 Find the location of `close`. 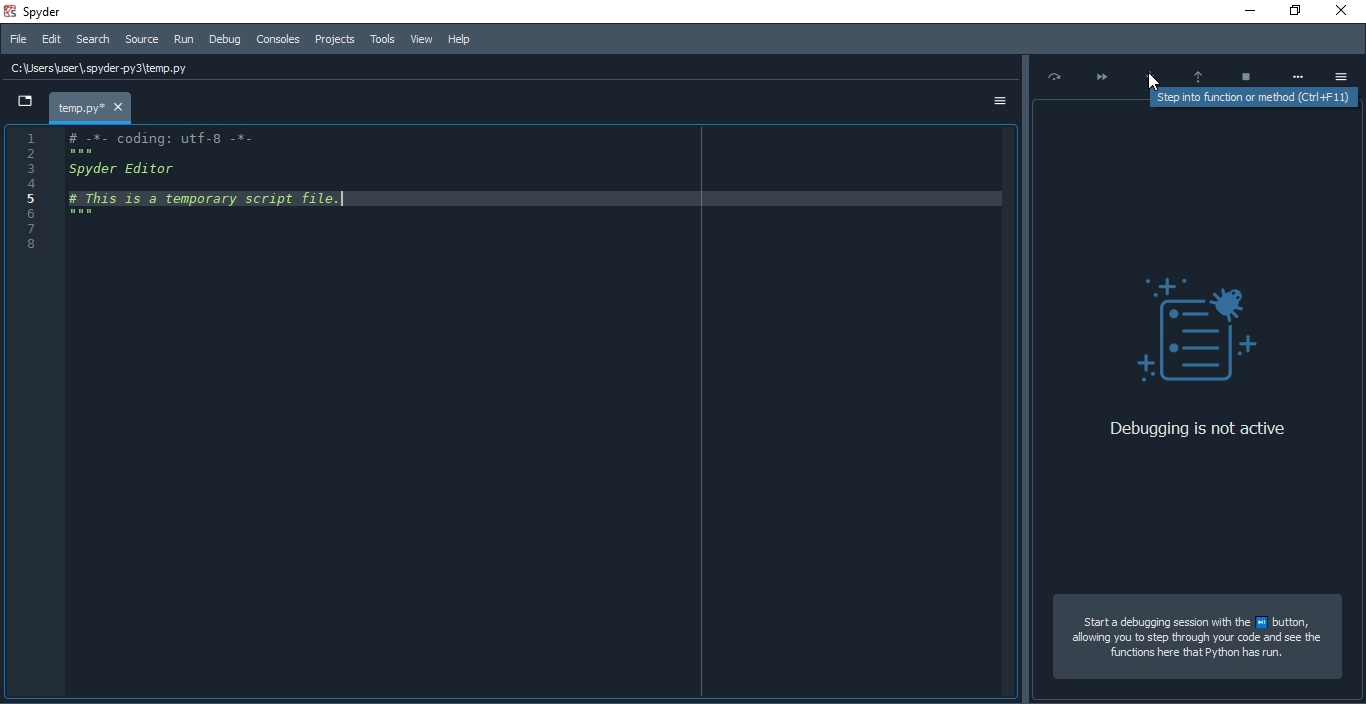

close is located at coordinates (1346, 11).